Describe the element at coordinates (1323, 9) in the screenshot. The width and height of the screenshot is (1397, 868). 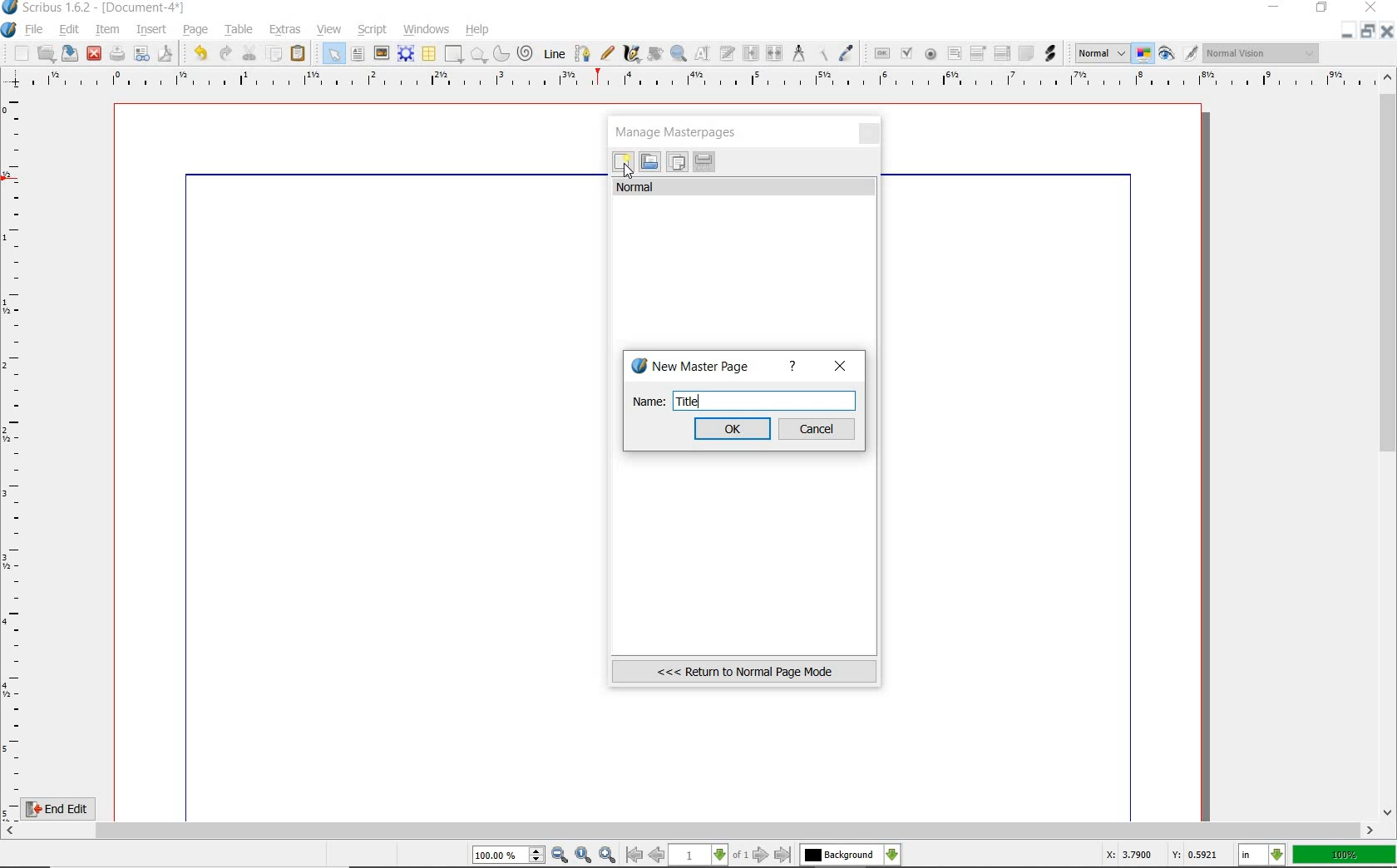
I see `restore` at that location.